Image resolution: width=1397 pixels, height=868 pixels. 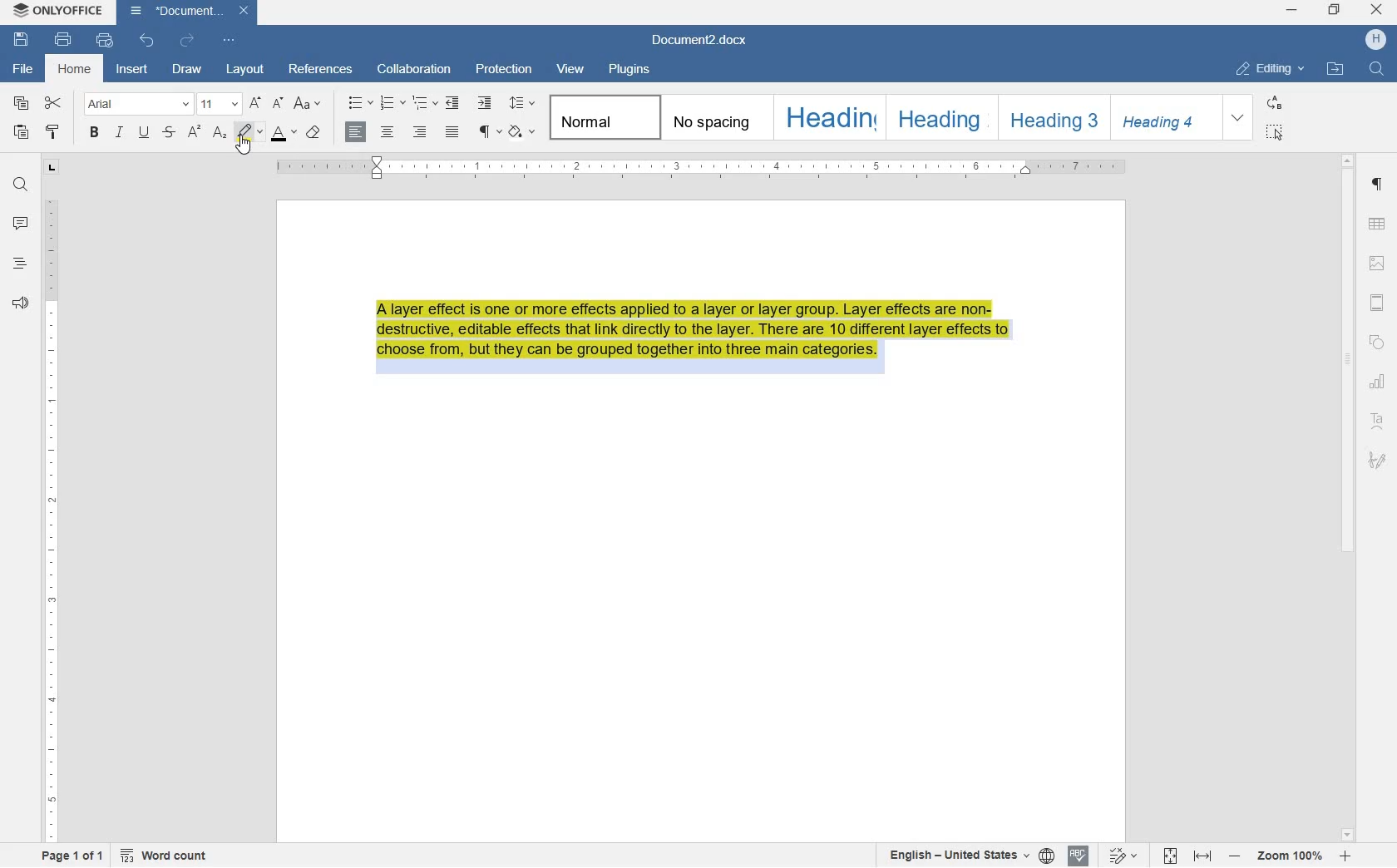 What do you see at coordinates (1276, 132) in the screenshot?
I see `select all` at bounding box center [1276, 132].